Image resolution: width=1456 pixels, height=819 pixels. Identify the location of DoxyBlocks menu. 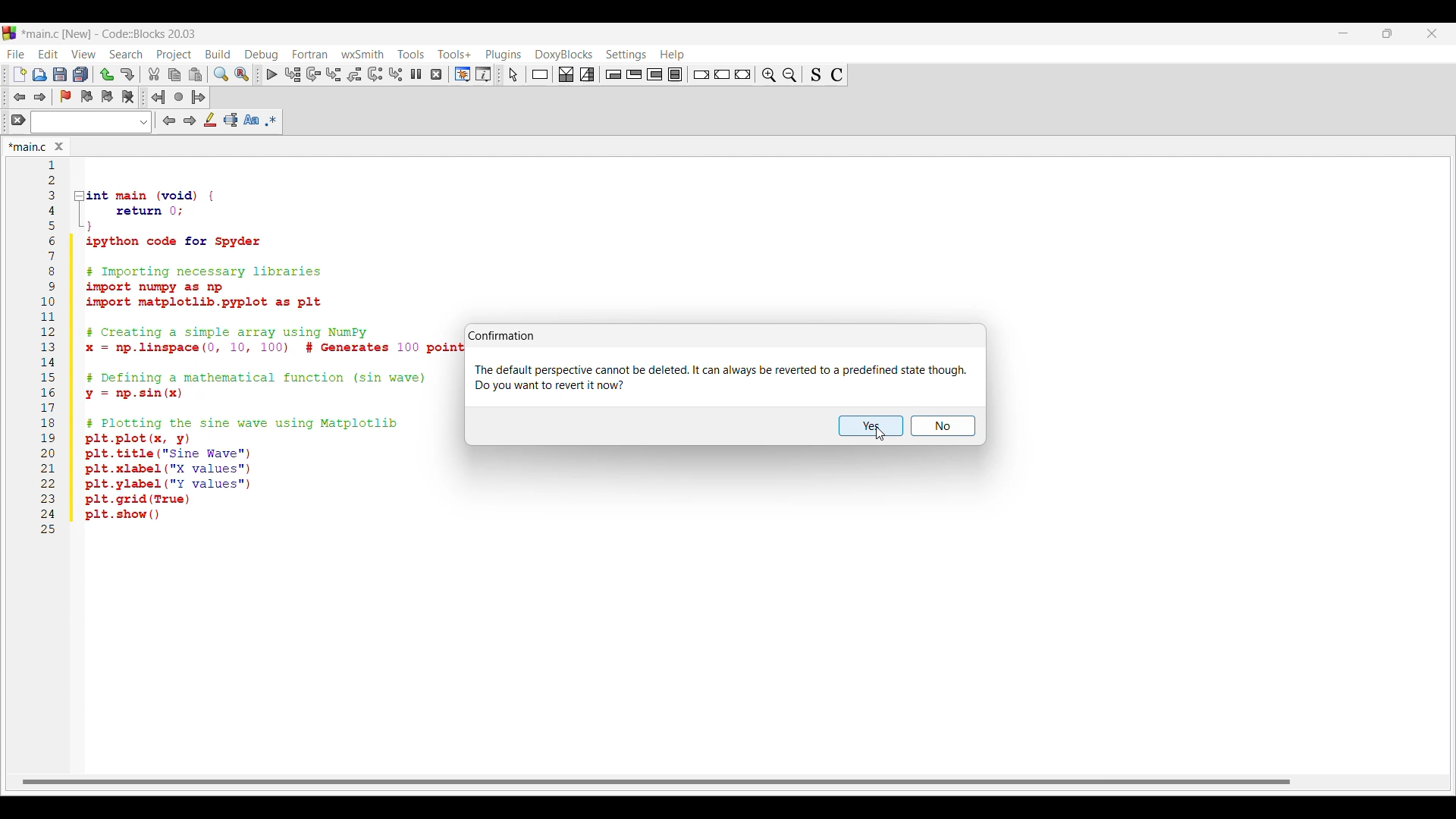
(564, 55).